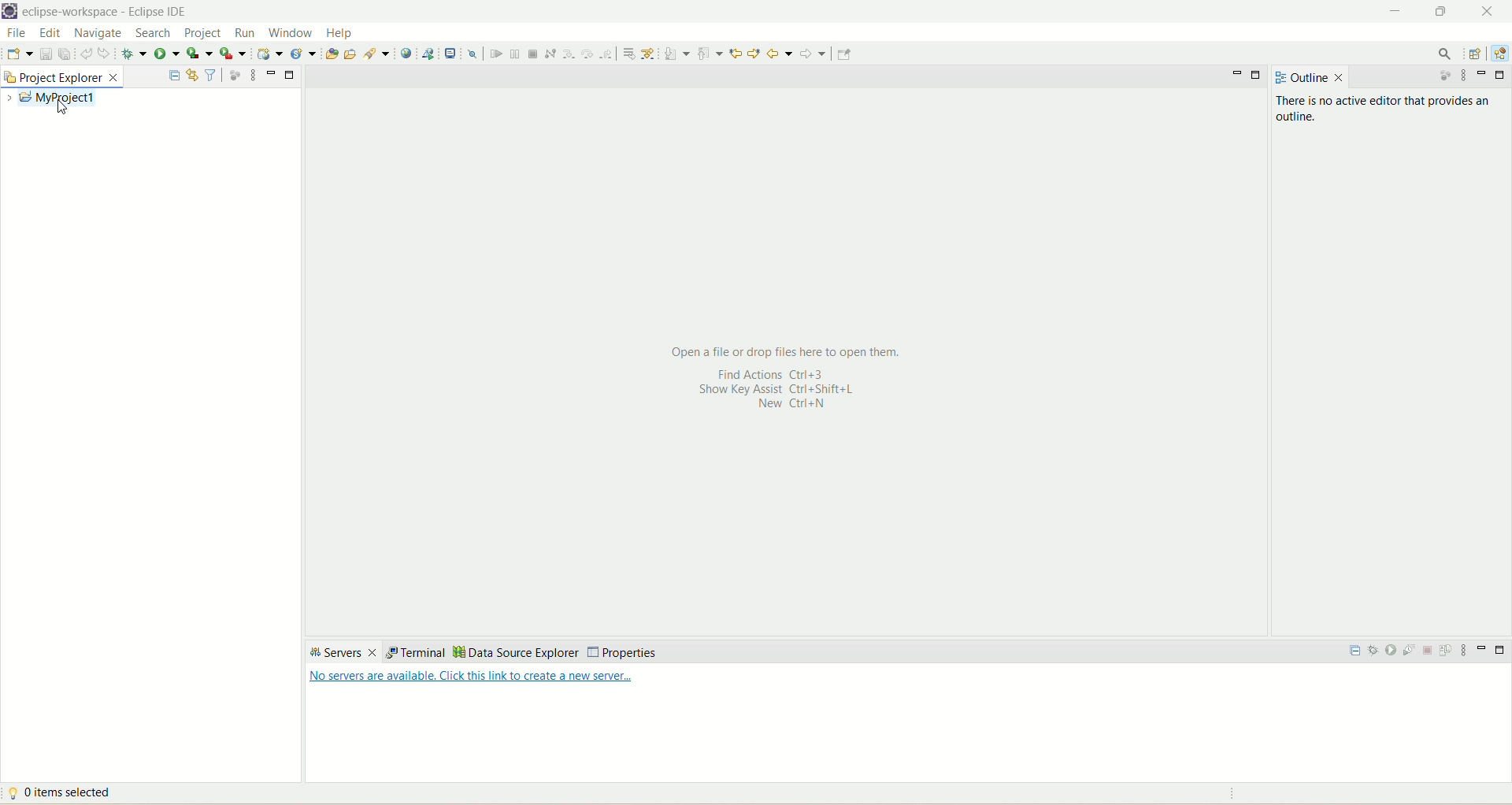 This screenshot has height=805, width=1512. What do you see at coordinates (107, 12) in the screenshot?
I see `eclipse-workspace-Eclipse IDE` at bounding box center [107, 12].